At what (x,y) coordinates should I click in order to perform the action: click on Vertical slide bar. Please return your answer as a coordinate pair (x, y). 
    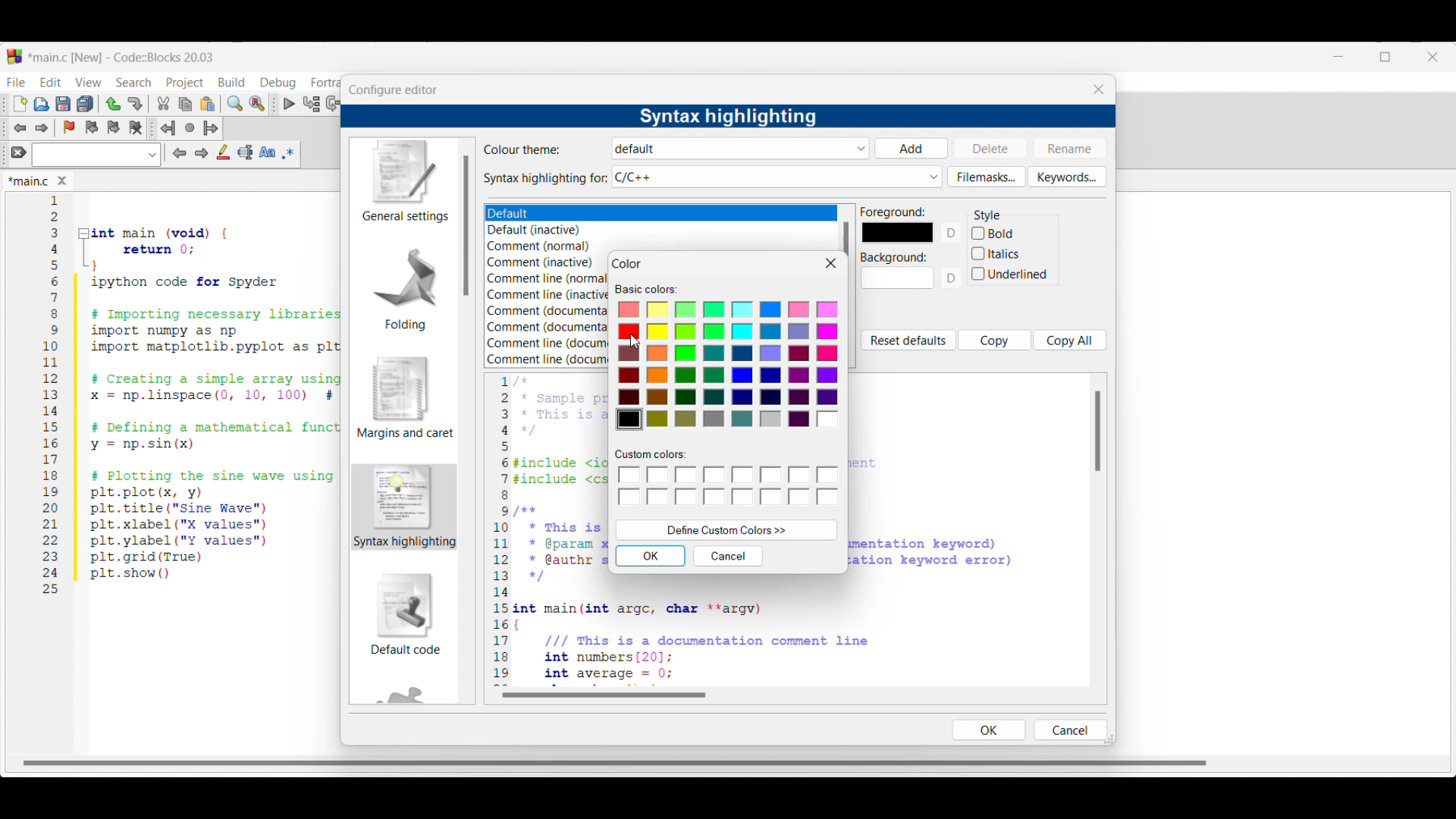
    Looking at the image, I should click on (846, 239).